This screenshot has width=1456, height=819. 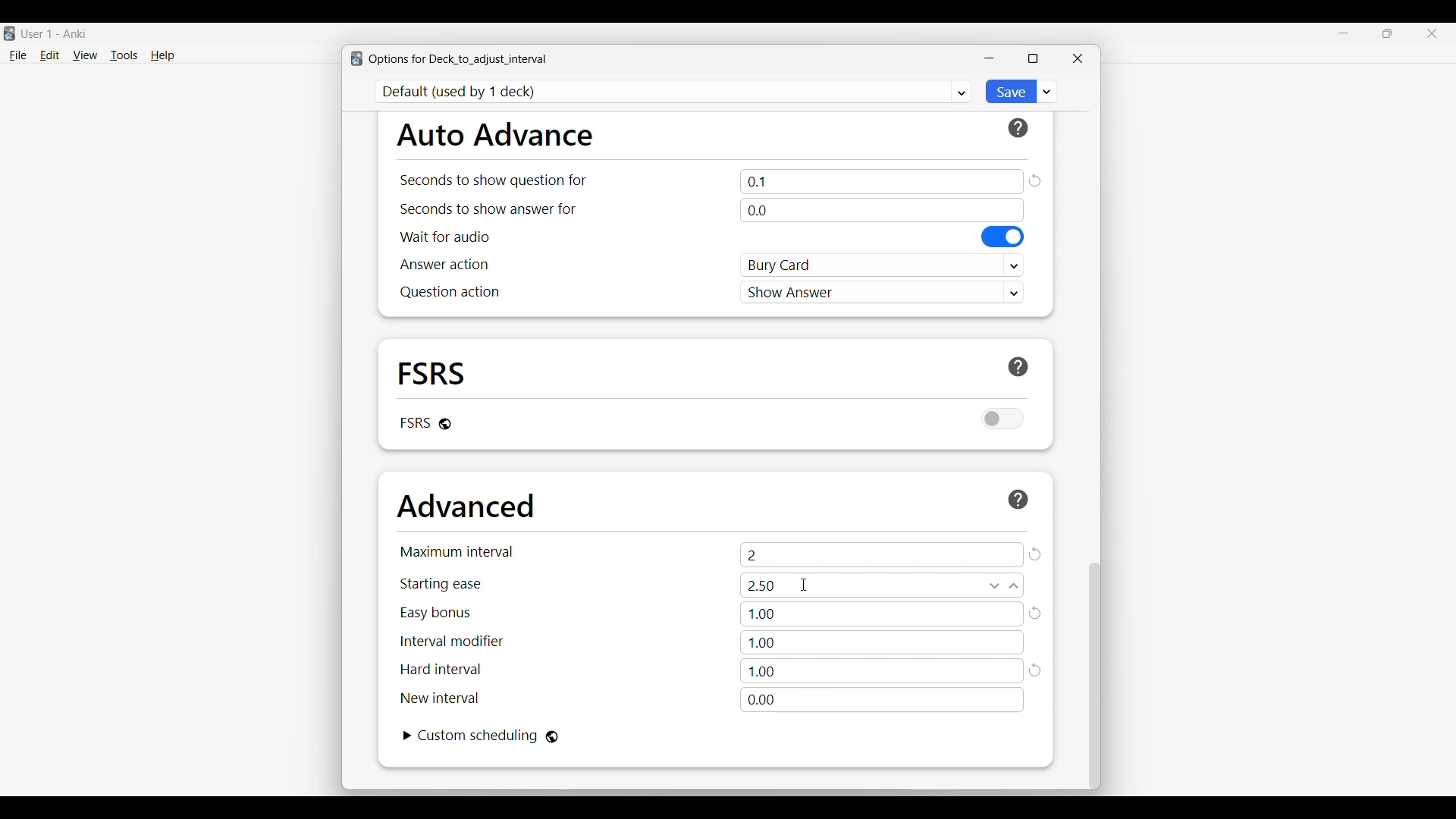 What do you see at coordinates (162, 56) in the screenshot?
I see `Help menu` at bounding box center [162, 56].